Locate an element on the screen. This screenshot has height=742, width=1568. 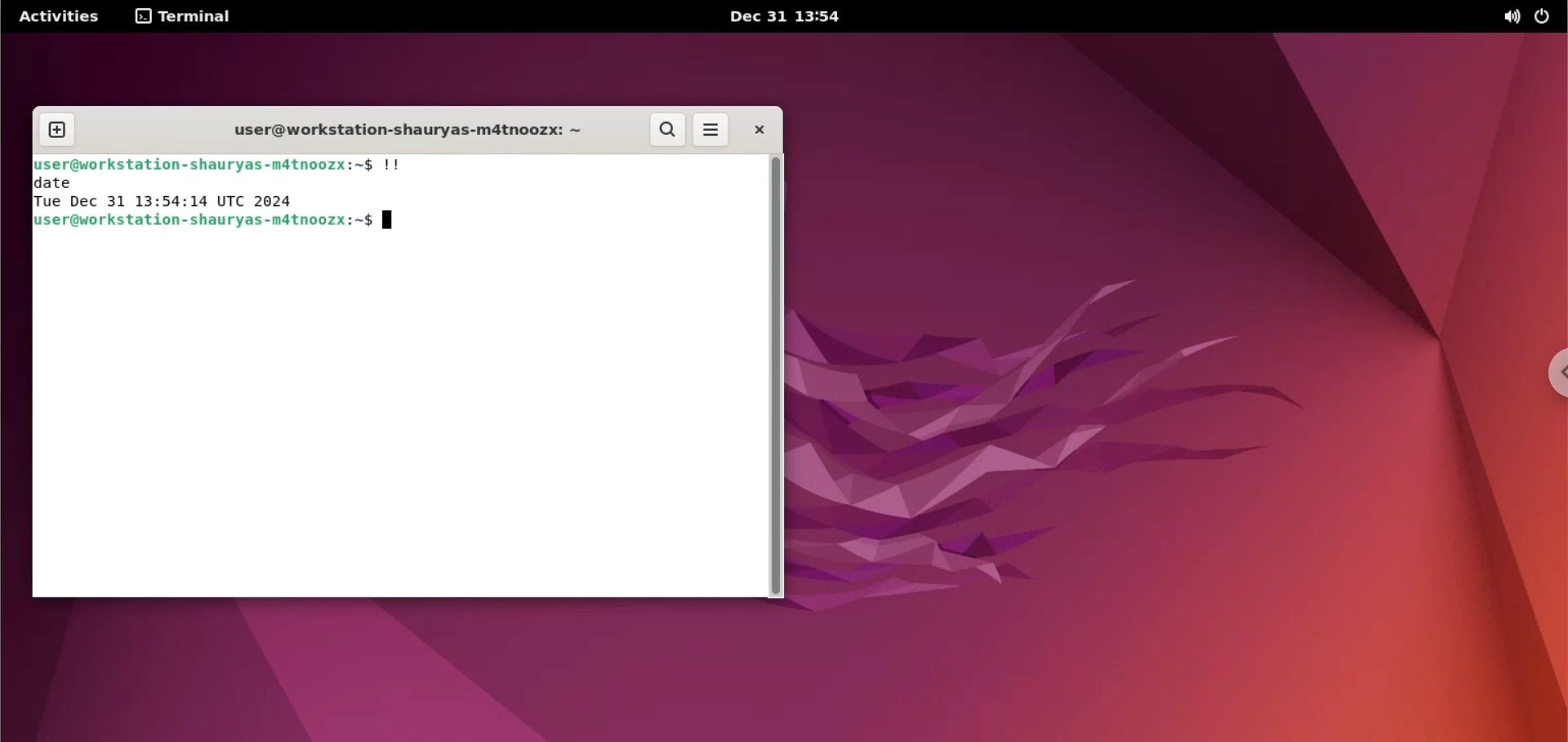
user@workstation-shauryas-m4tnoozx: ~ is located at coordinates (415, 132).